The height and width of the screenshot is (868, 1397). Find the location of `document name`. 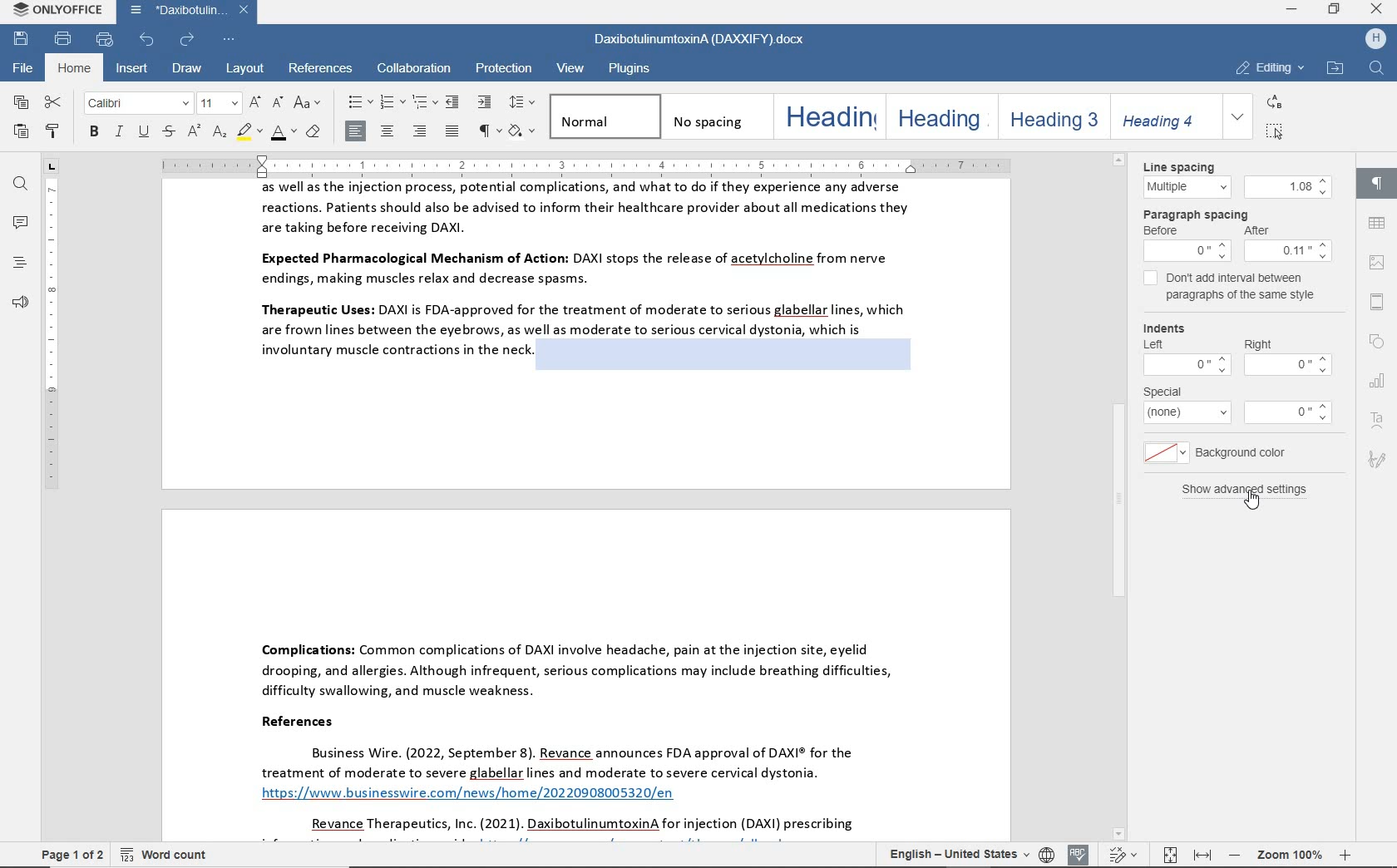

document name is located at coordinates (191, 11).